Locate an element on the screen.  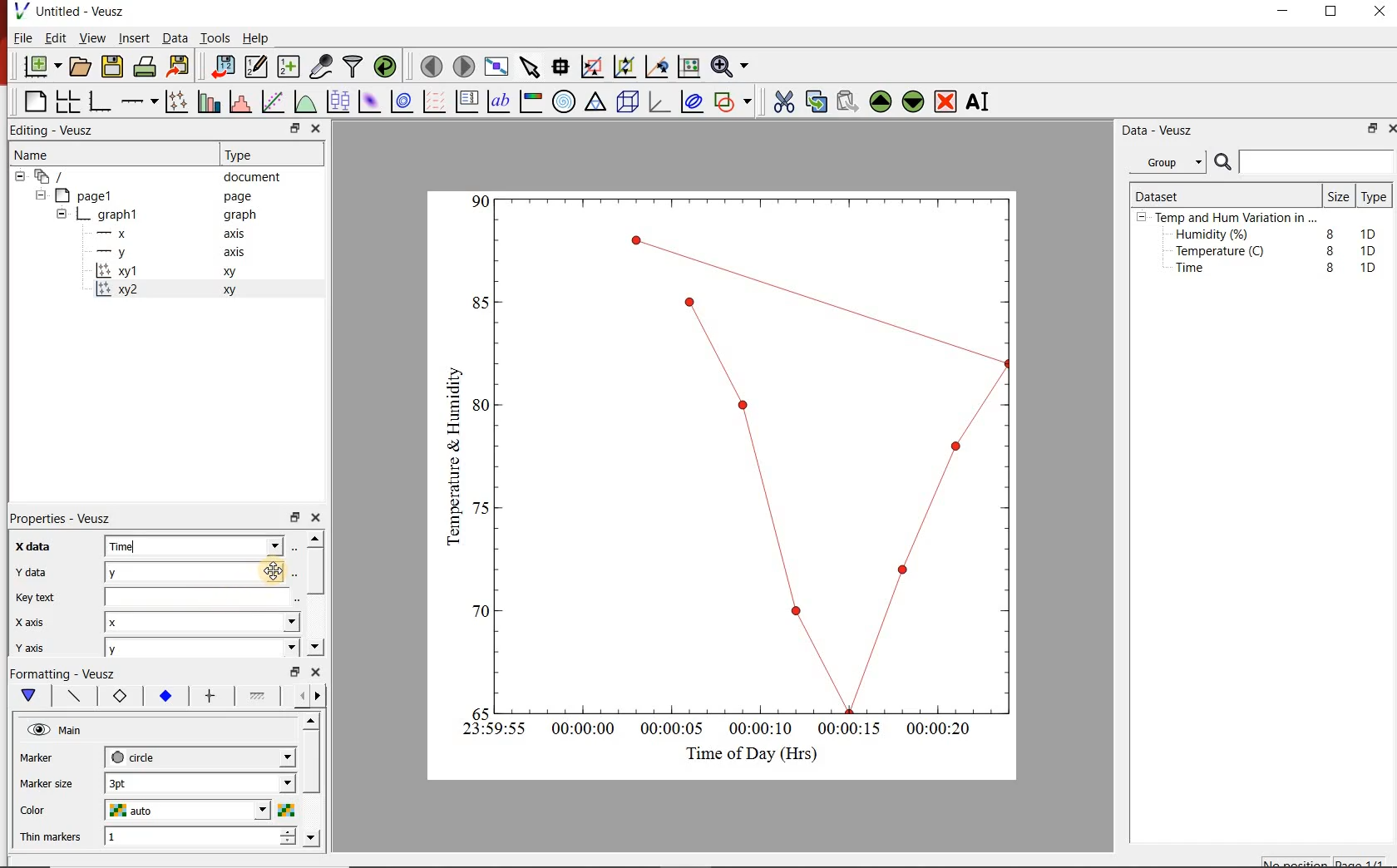
00:00:10 is located at coordinates (759, 727).